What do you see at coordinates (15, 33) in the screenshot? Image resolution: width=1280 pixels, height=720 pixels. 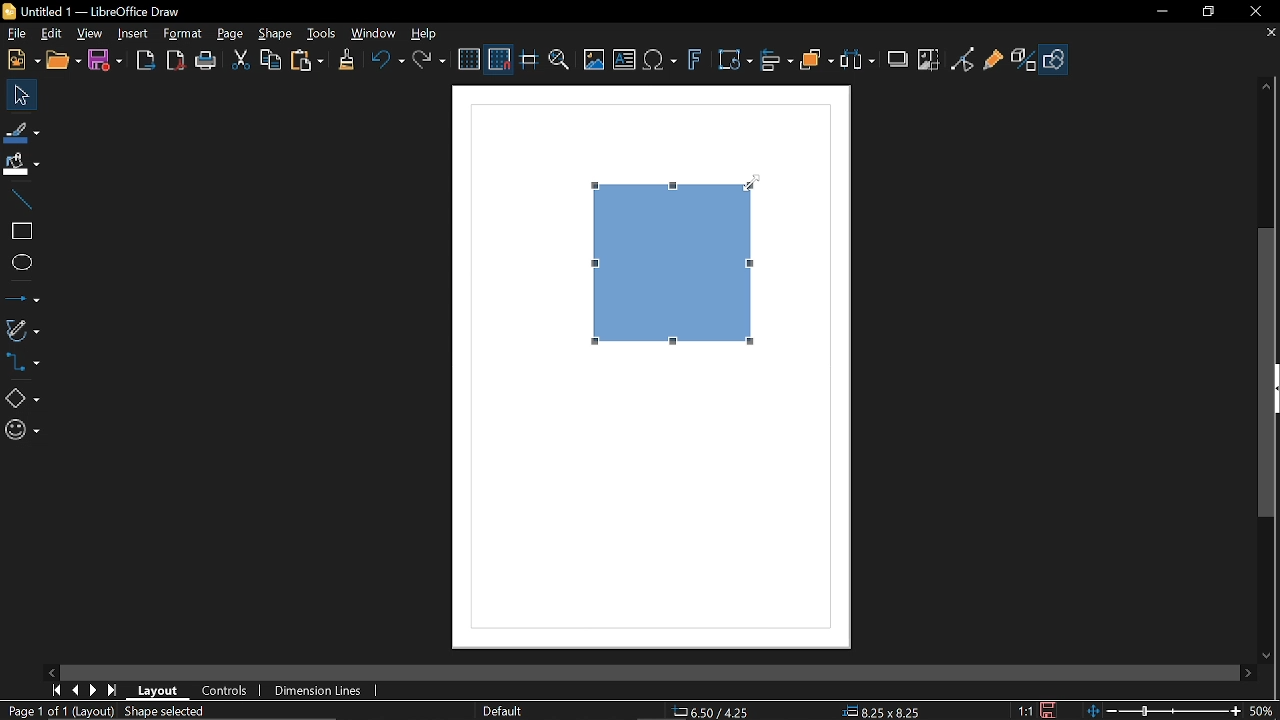 I see `File` at bounding box center [15, 33].